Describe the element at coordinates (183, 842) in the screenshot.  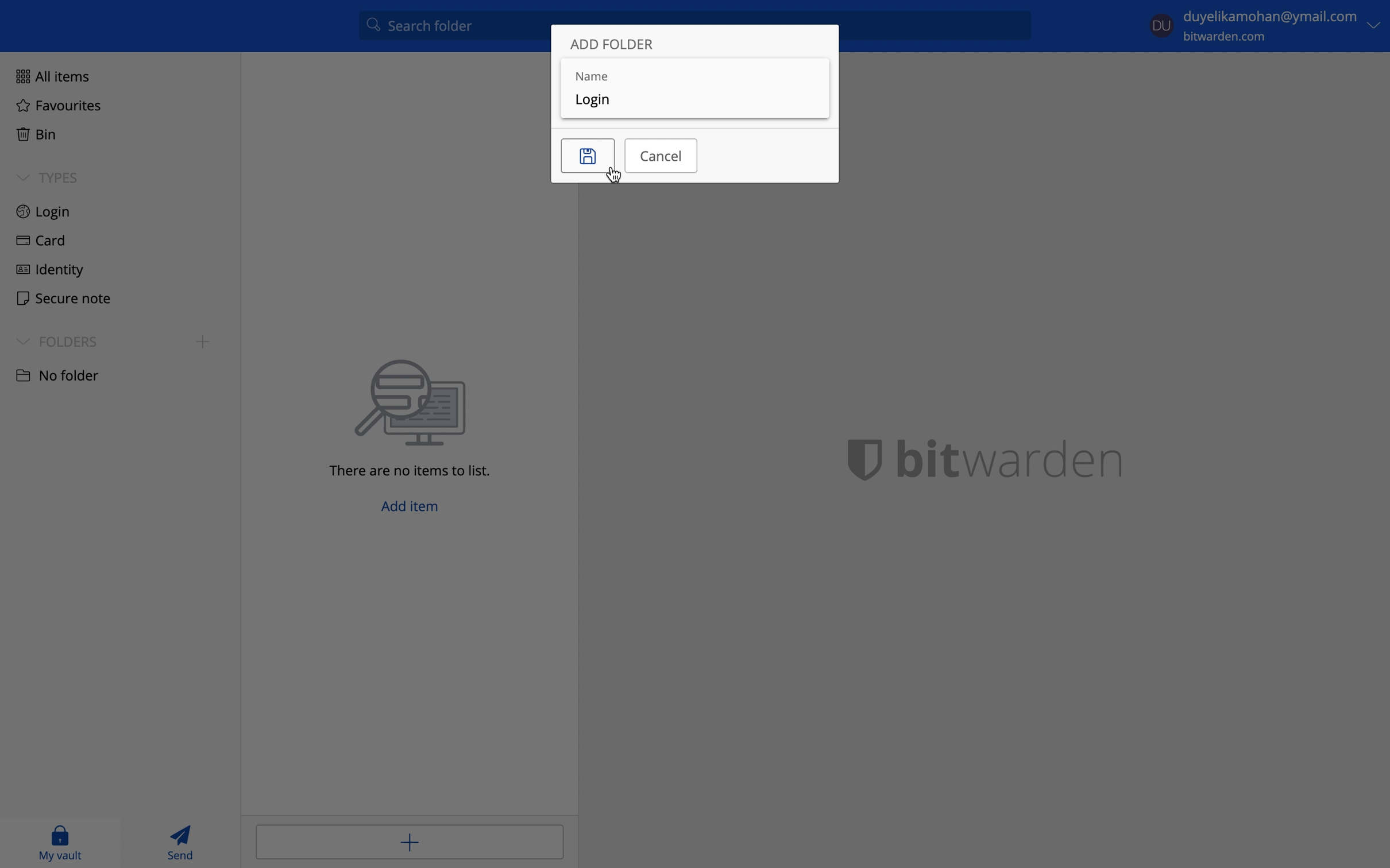
I see `send` at that location.